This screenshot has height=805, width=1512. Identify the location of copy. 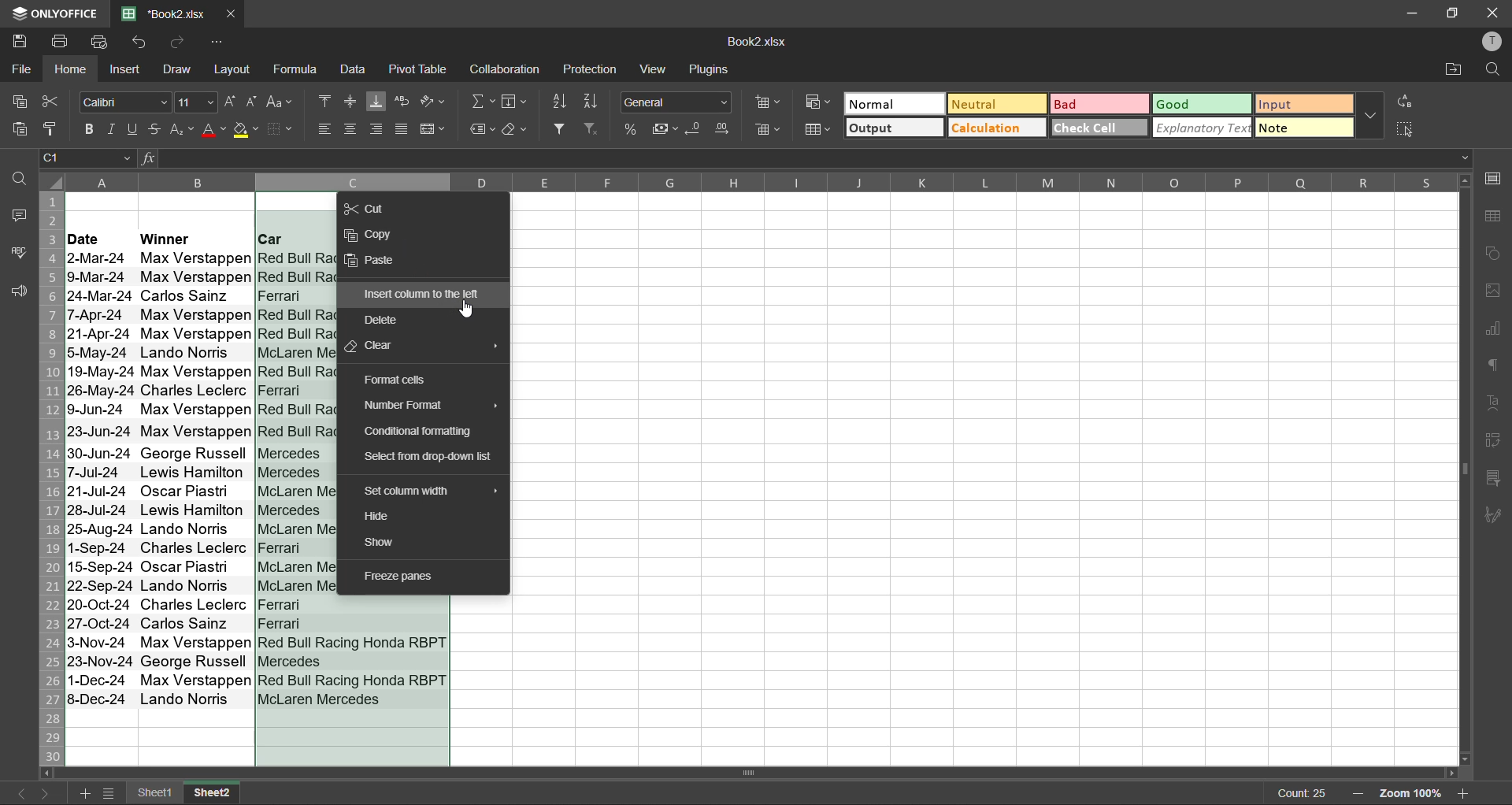
(23, 102).